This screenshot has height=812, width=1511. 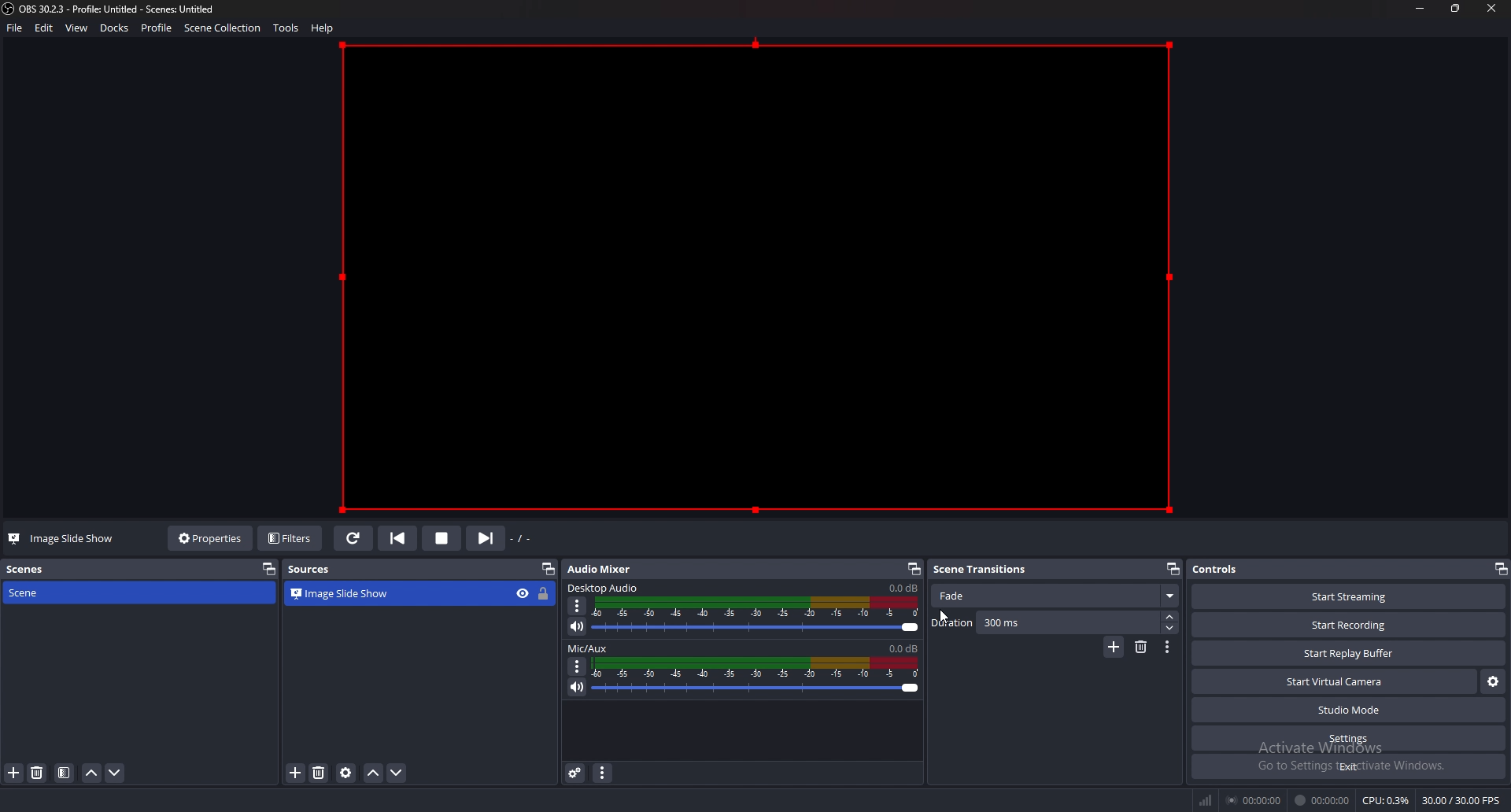 What do you see at coordinates (592, 648) in the screenshot?
I see `mic/aux` at bounding box center [592, 648].